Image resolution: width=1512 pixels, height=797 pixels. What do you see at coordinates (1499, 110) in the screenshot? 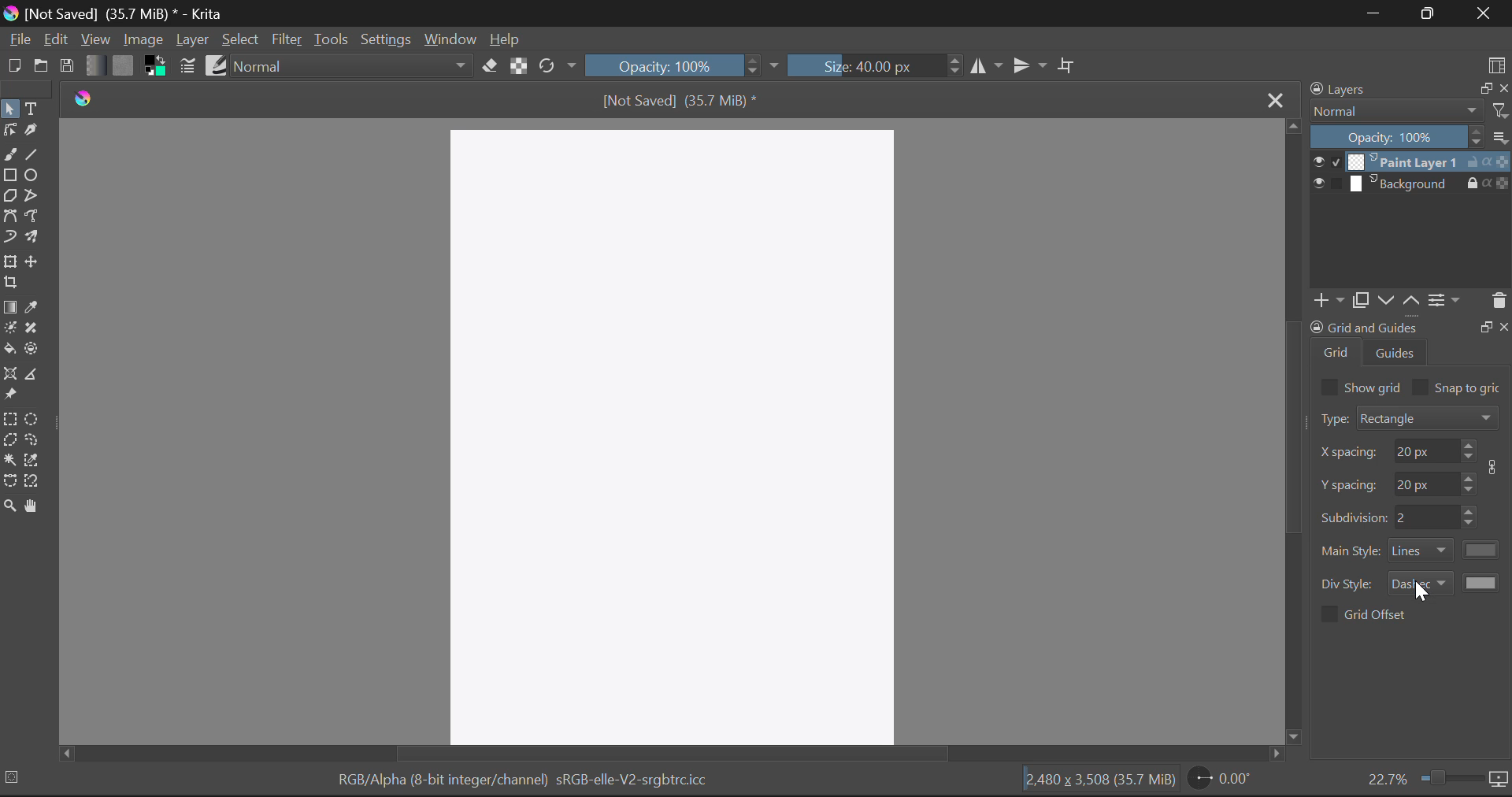
I see `filter icon` at bounding box center [1499, 110].